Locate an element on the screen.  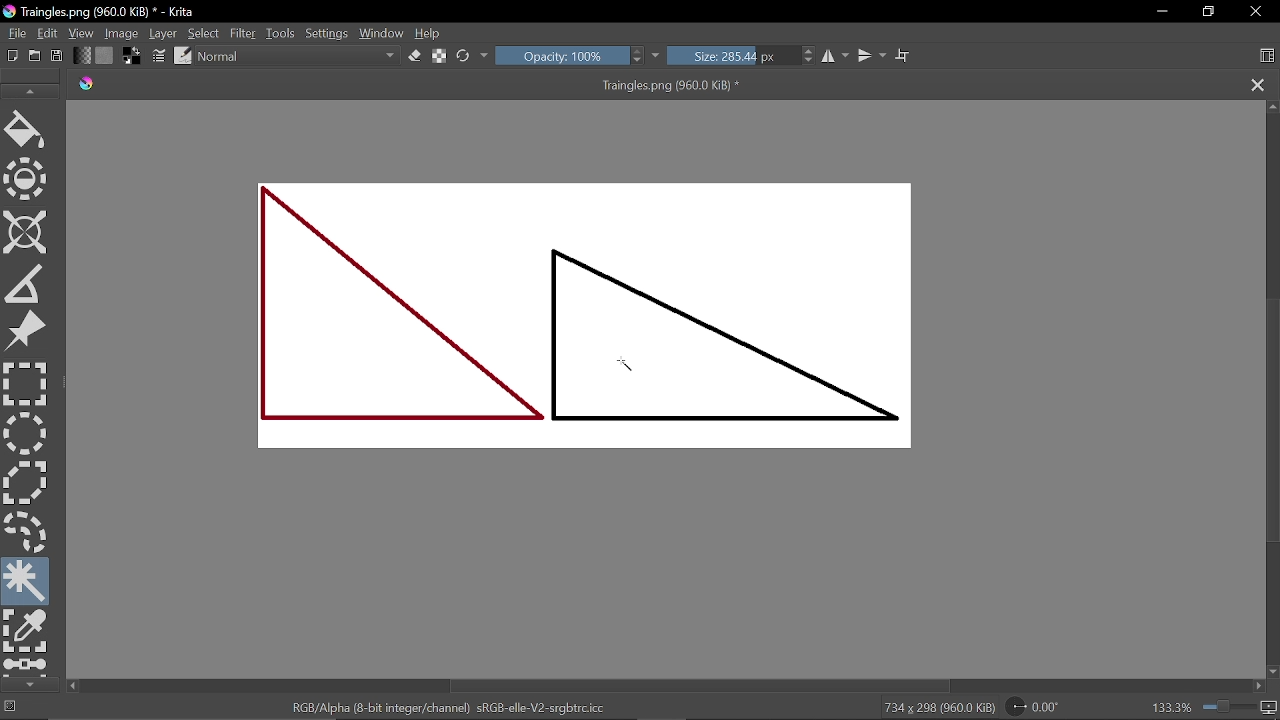
Create new document is located at coordinates (13, 56).